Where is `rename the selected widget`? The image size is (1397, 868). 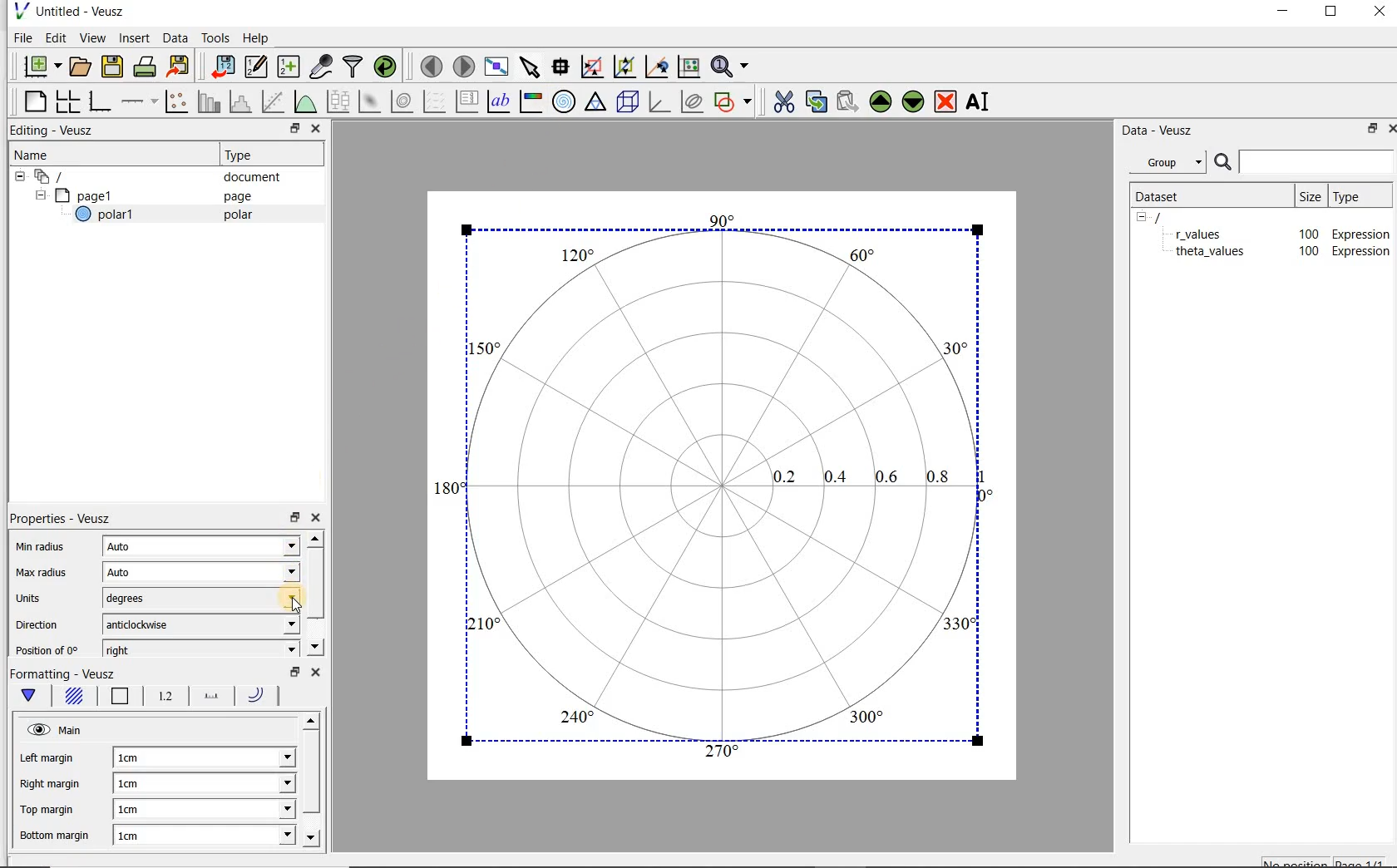 rename the selected widget is located at coordinates (981, 101).